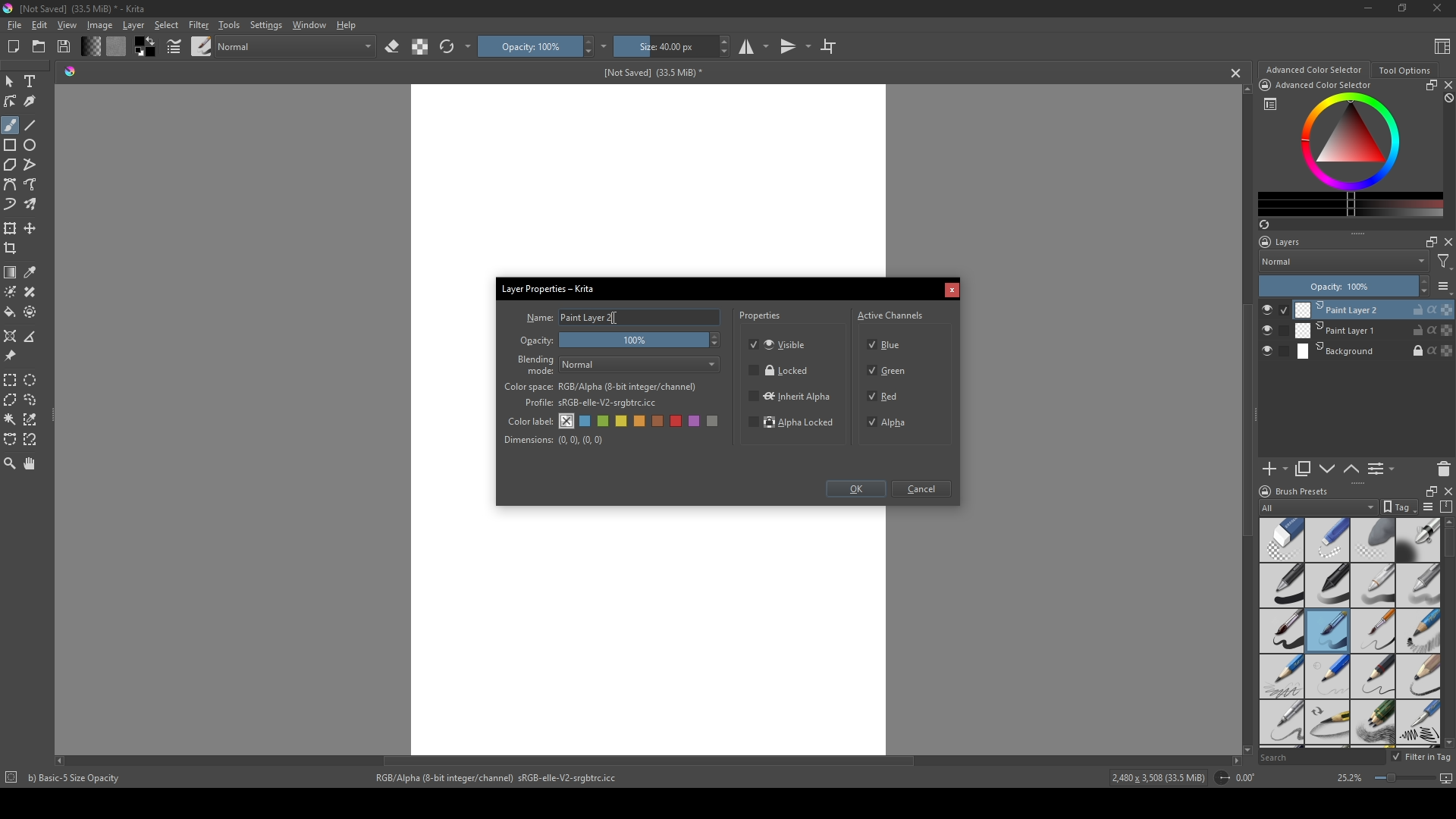 The image size is (1456, 819). I want to click on scroll left, so click(63, 761).